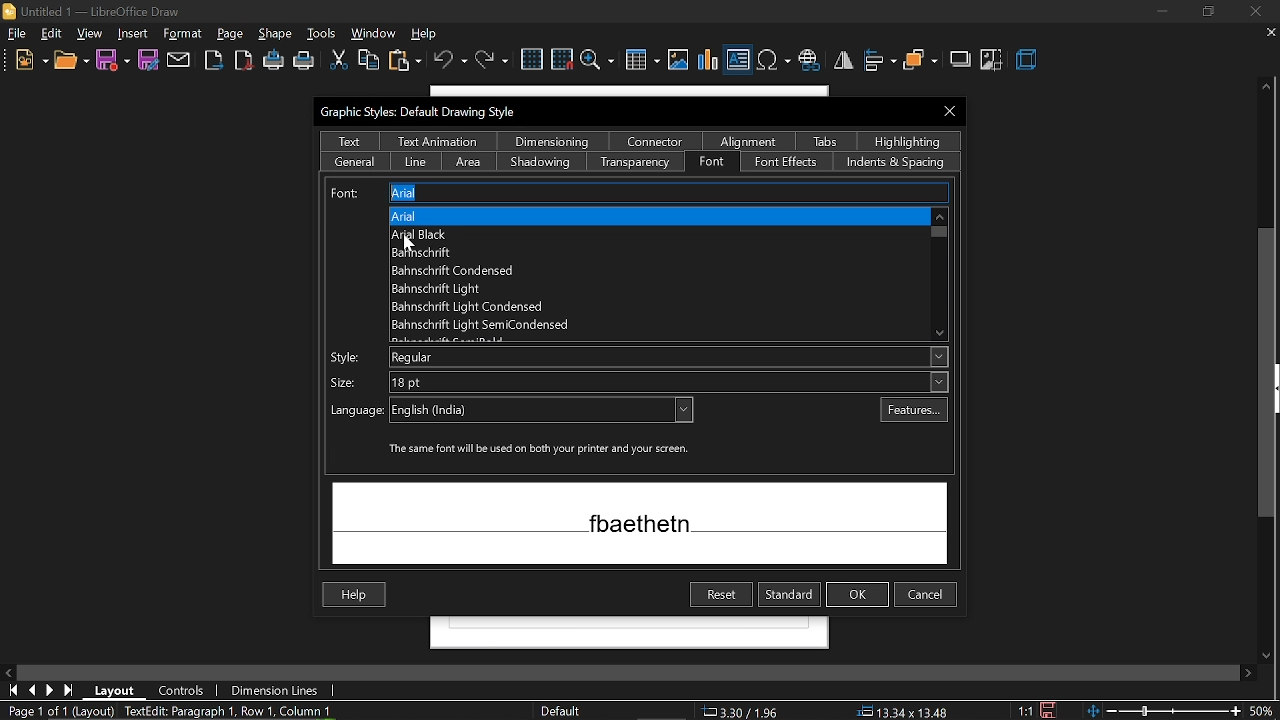  I want to click on arrange, so click(921, 62).